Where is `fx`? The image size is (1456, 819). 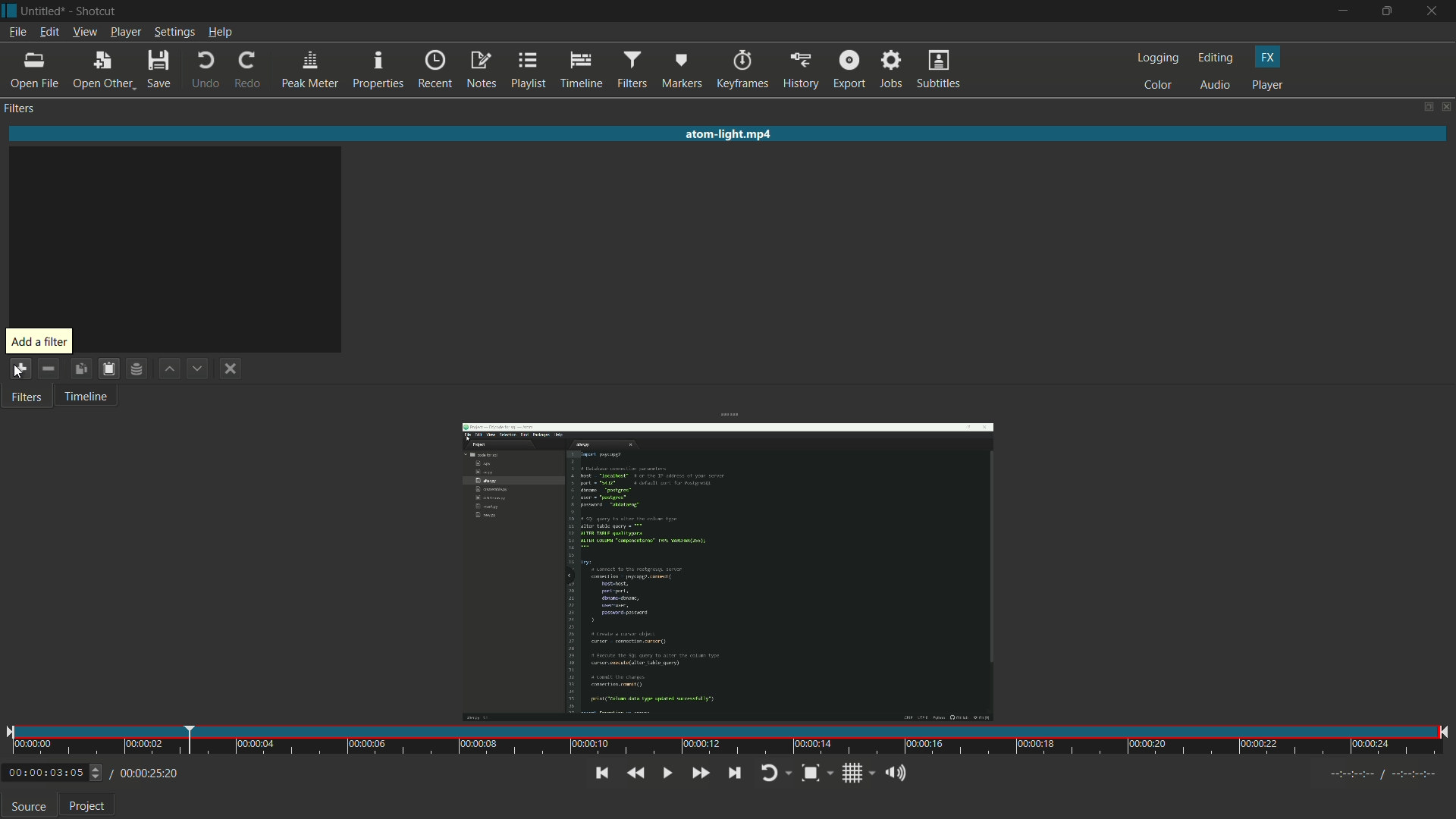 fx is located at coordinates (1267, 56).